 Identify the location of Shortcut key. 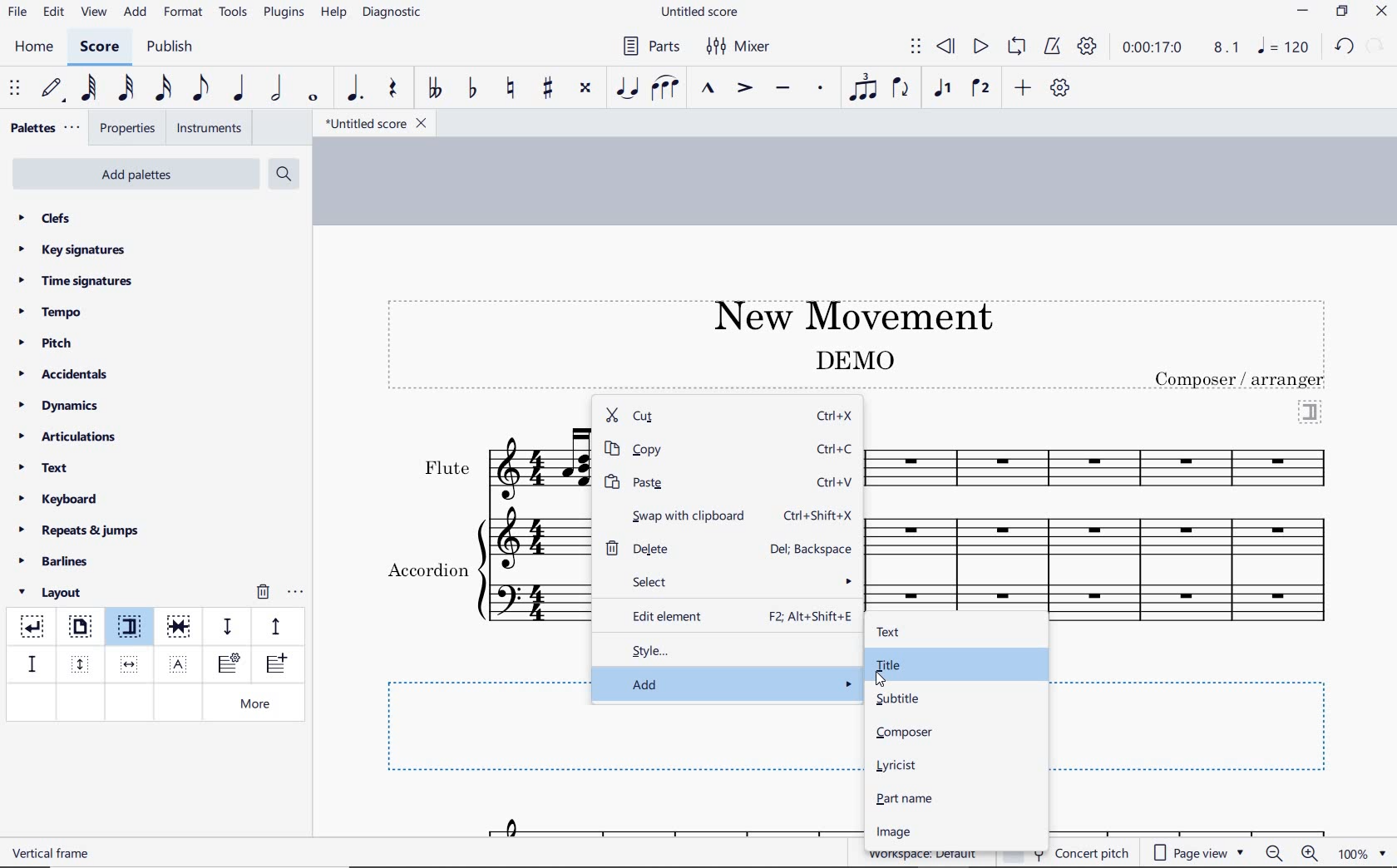
(835, 417).